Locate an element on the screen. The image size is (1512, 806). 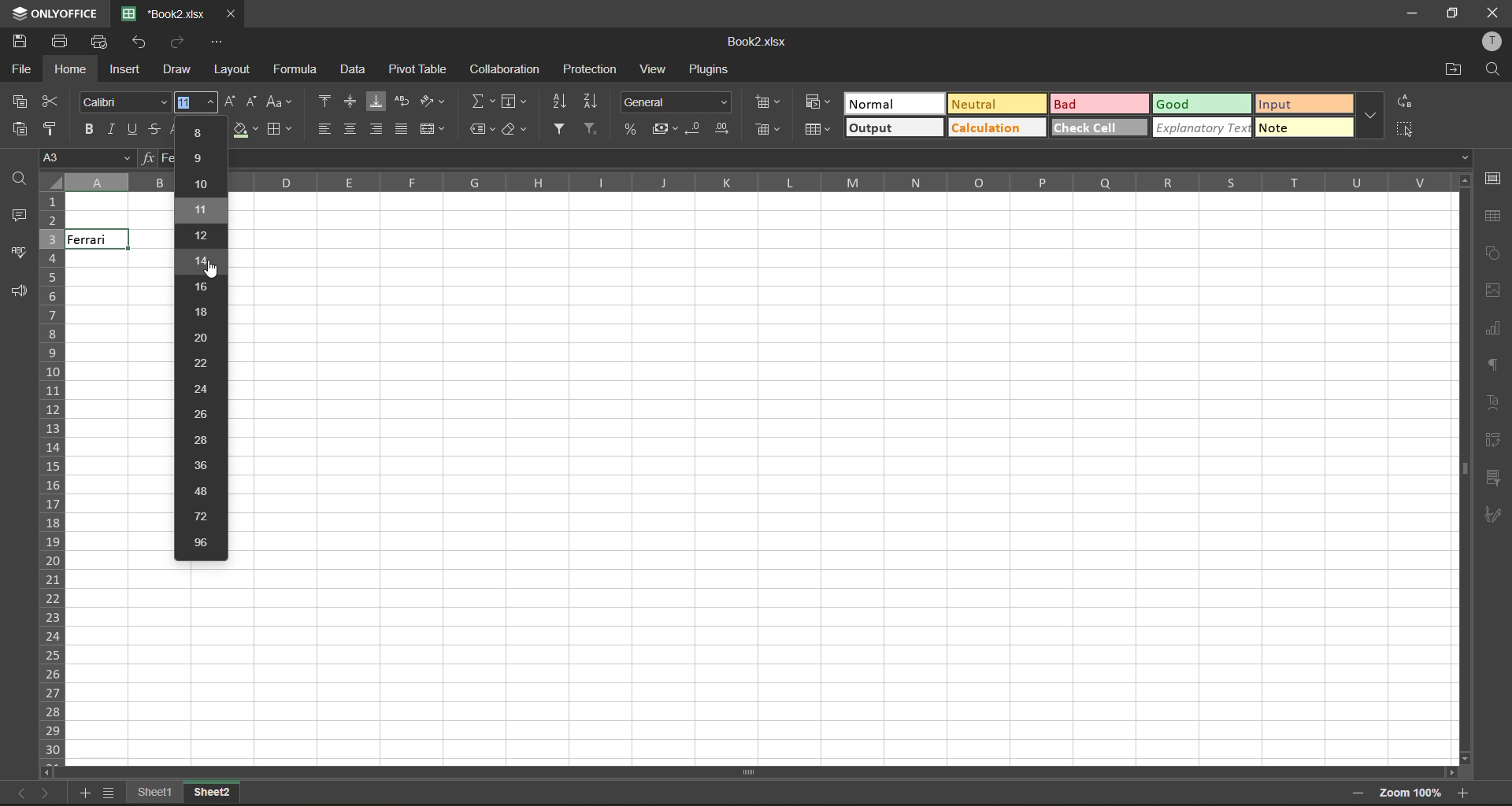
decrement size is located at coordinates (252, 101).